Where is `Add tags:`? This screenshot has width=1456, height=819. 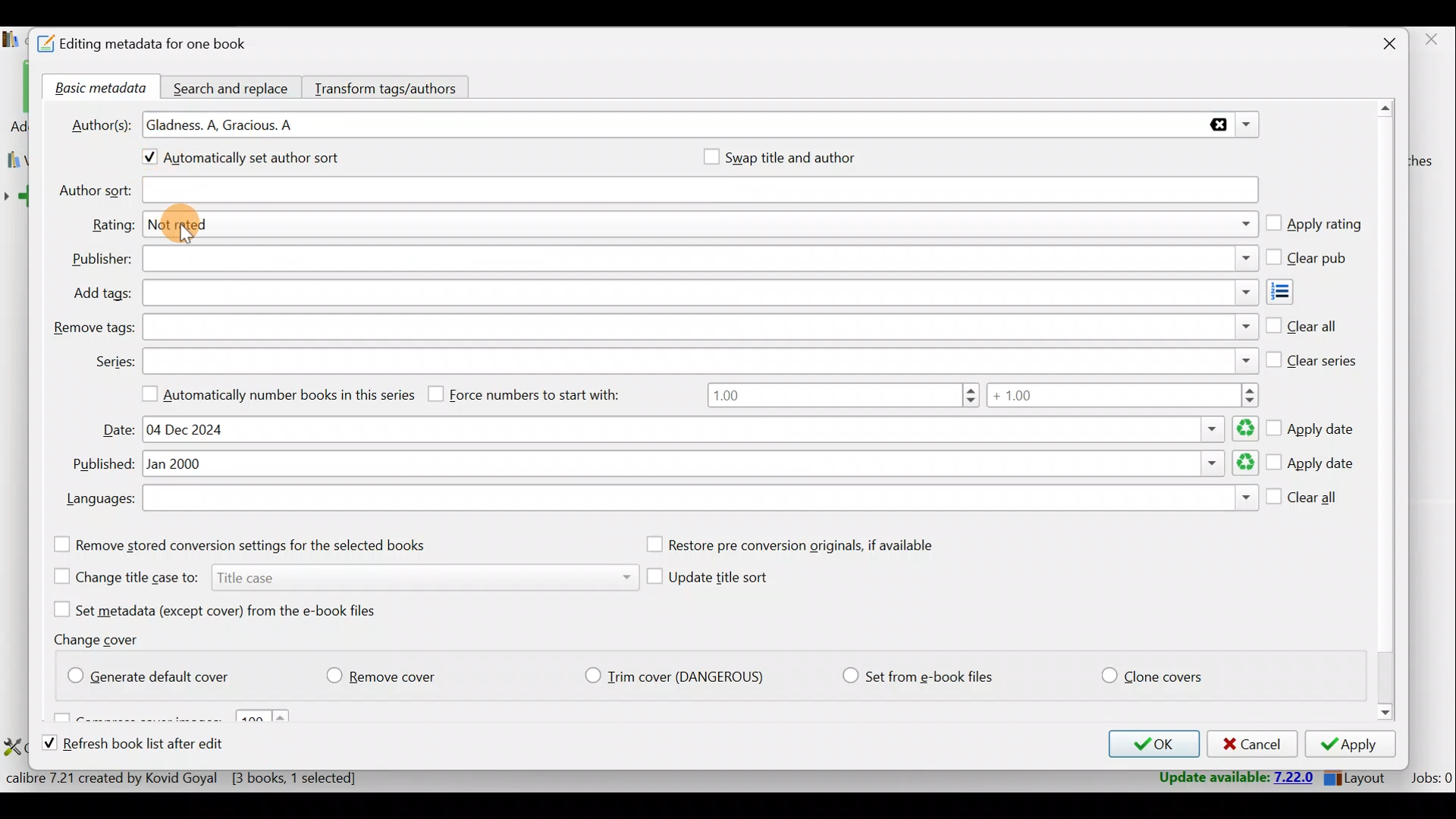 Add tags: is located at coordinates (102, 293).